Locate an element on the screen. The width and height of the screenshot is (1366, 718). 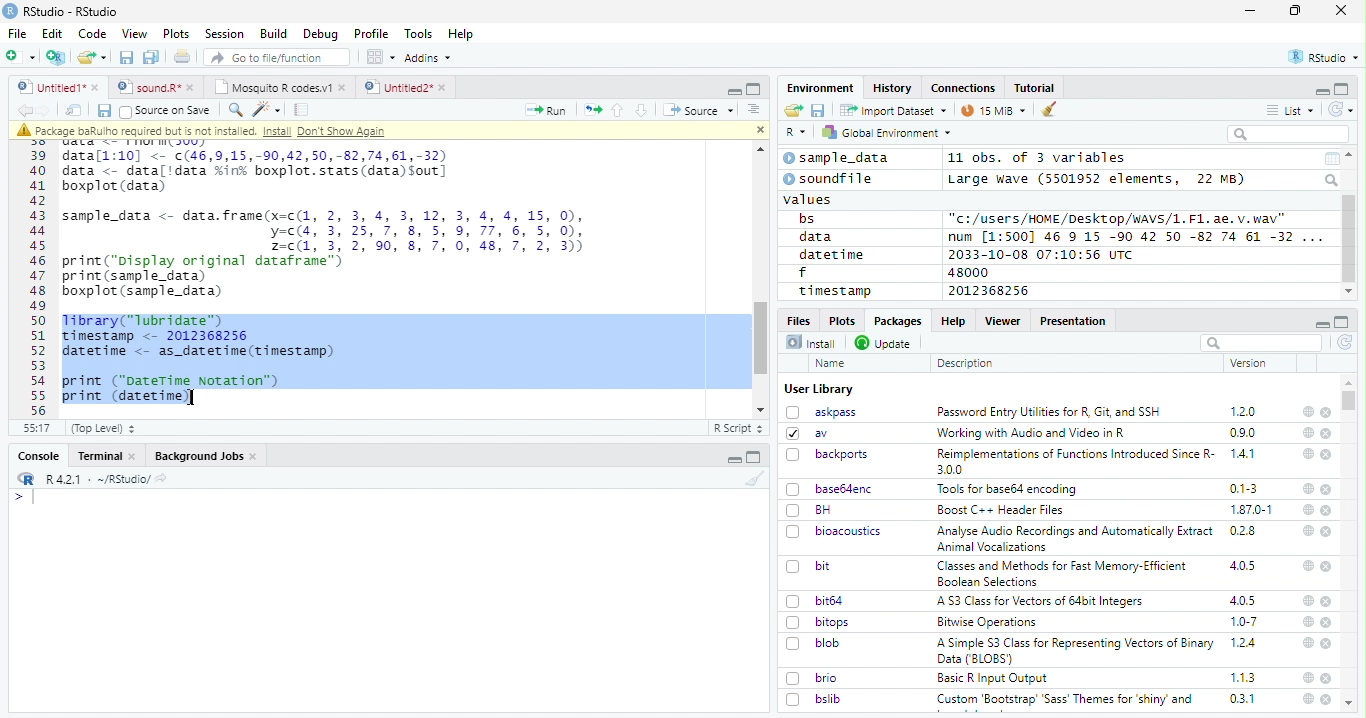
Source is located at coordinates (698, 112).